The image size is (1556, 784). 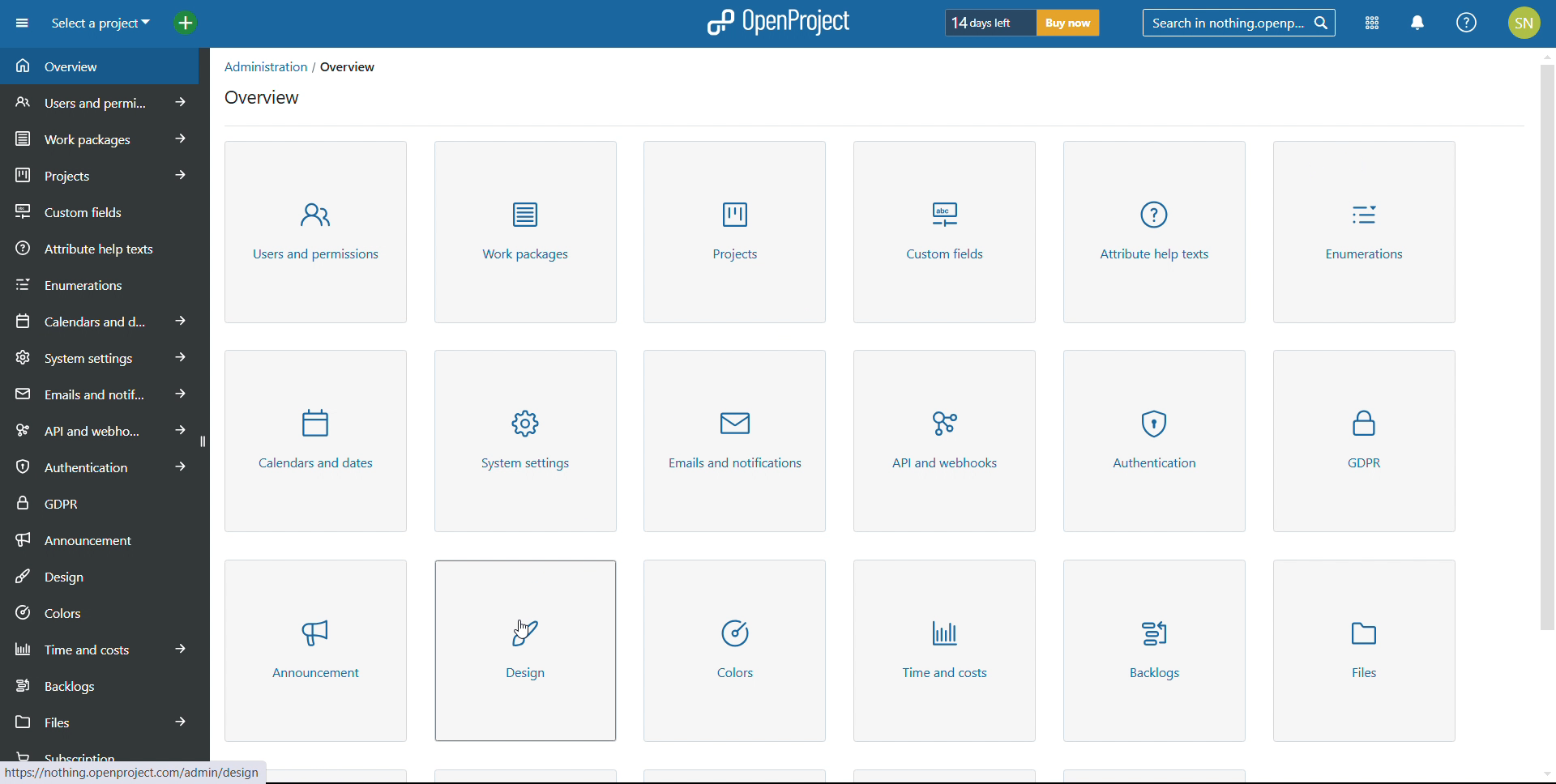 I want to click on api and webhooks, so click(x=97, y=428).